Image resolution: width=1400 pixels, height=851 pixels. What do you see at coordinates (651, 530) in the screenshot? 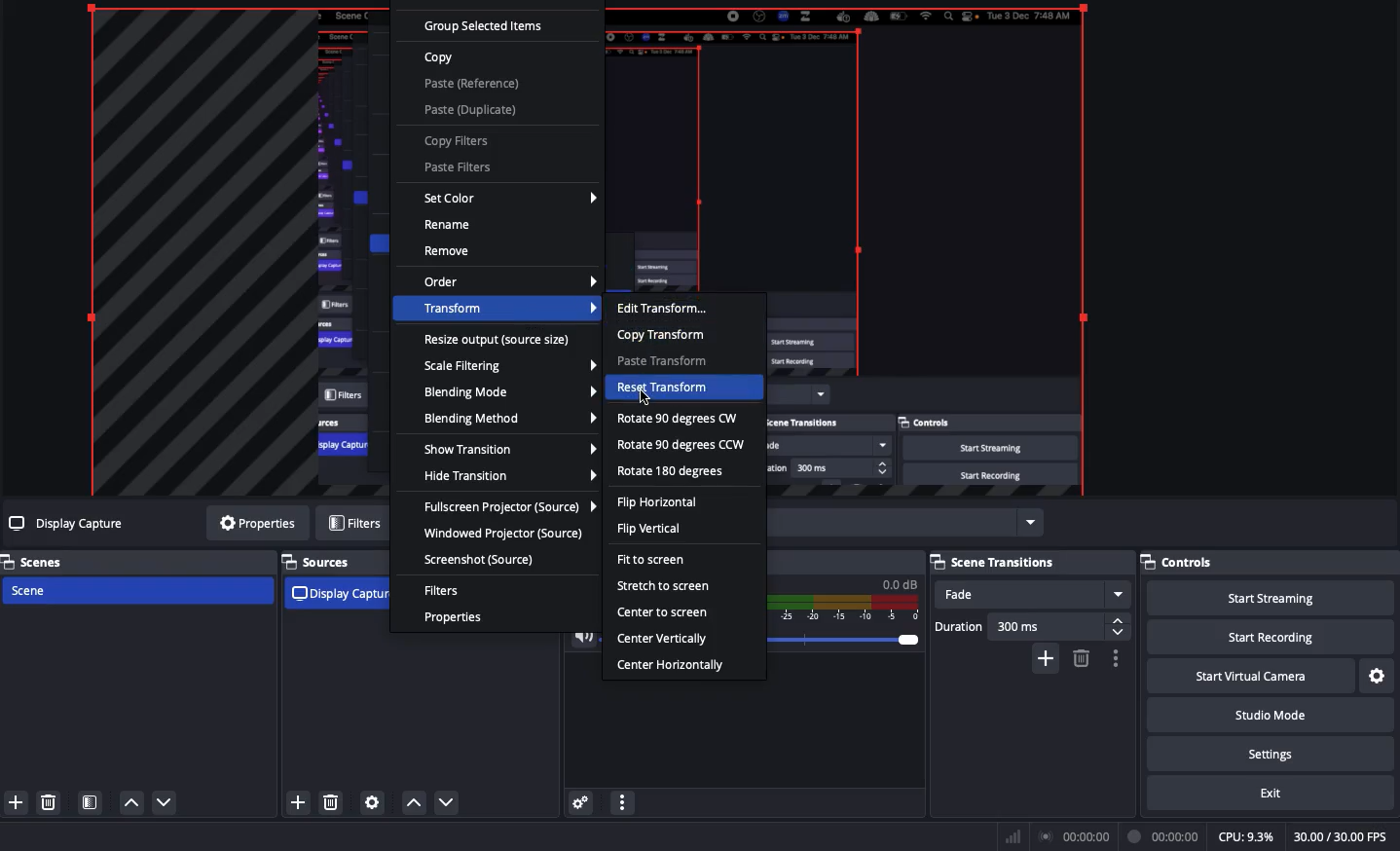
I see `Flip vertical ` at bounding box center [651, 530].